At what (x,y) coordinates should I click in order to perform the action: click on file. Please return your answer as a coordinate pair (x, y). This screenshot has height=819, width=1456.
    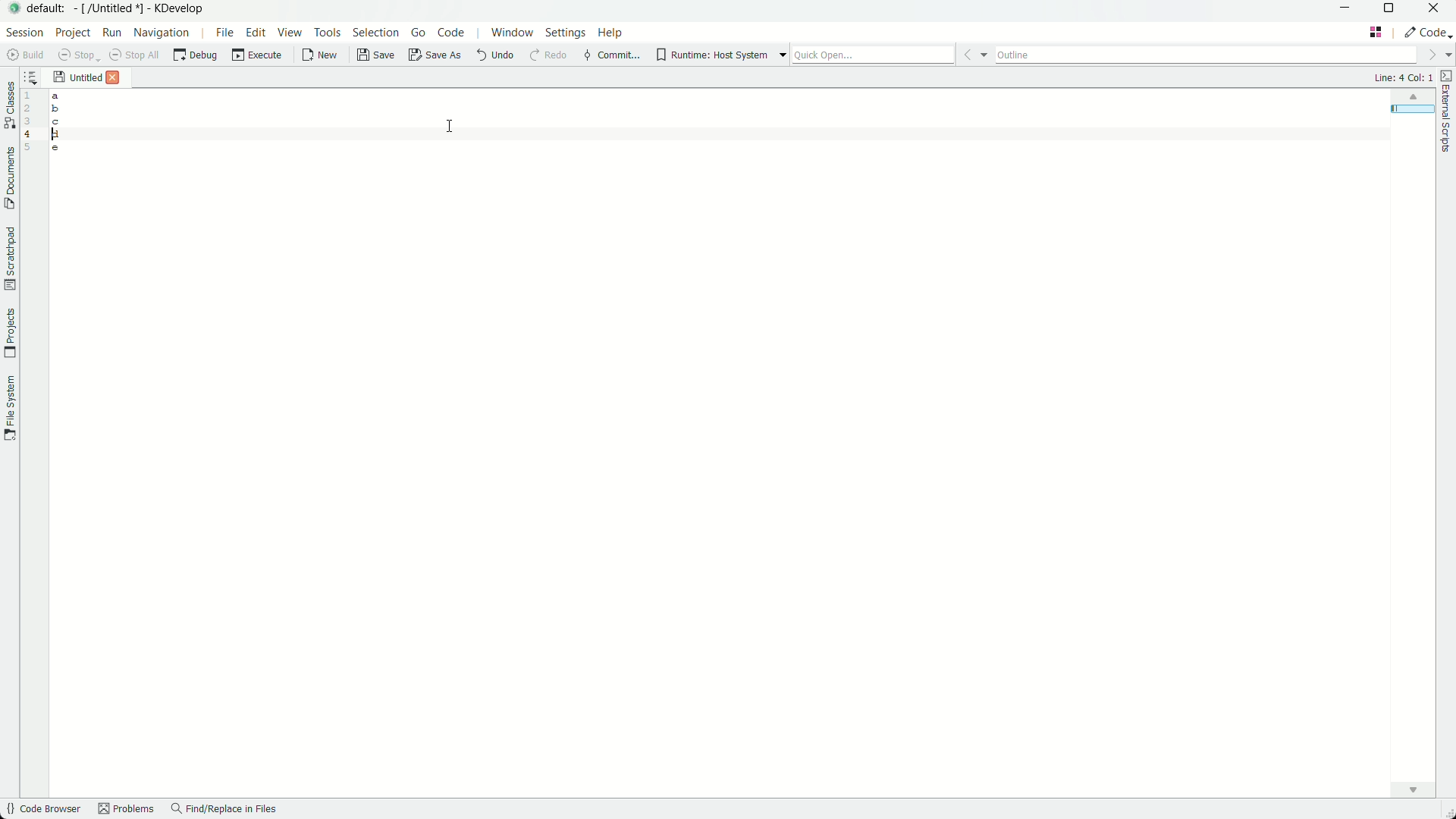
    Looking at the image, I should click on (221, 33).